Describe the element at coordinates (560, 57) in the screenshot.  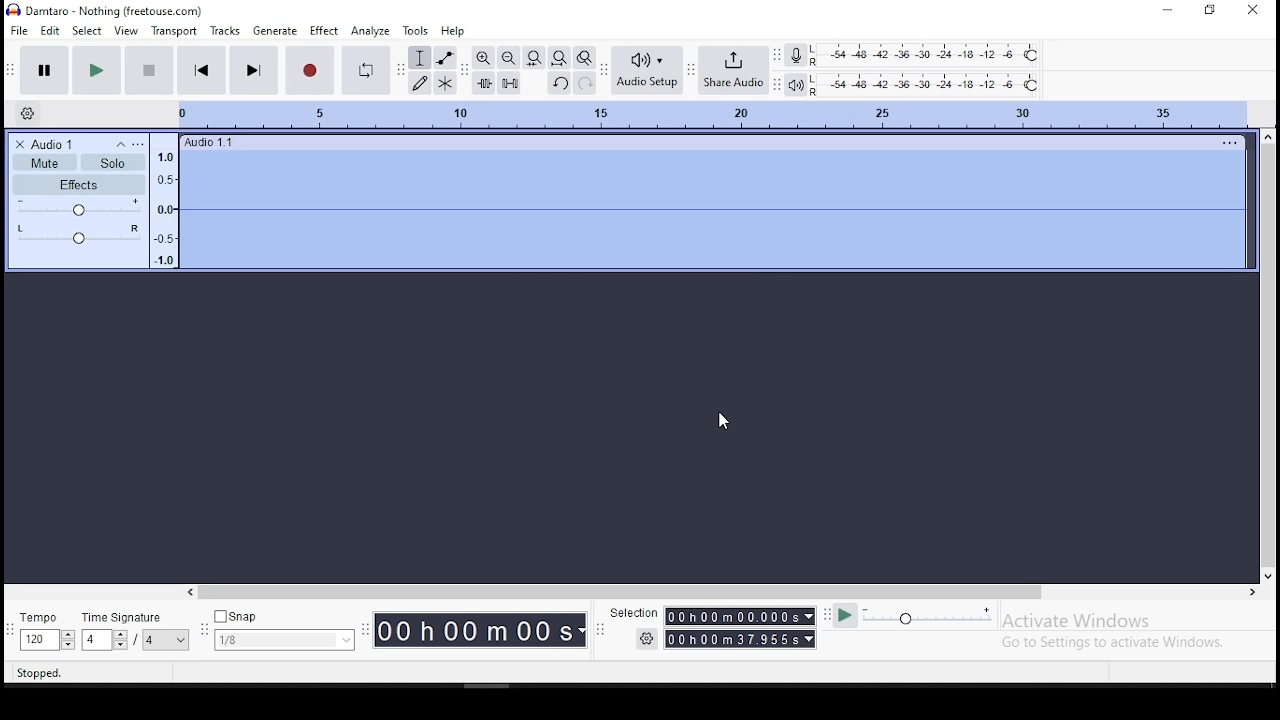
I see `fit project to width` at that location.